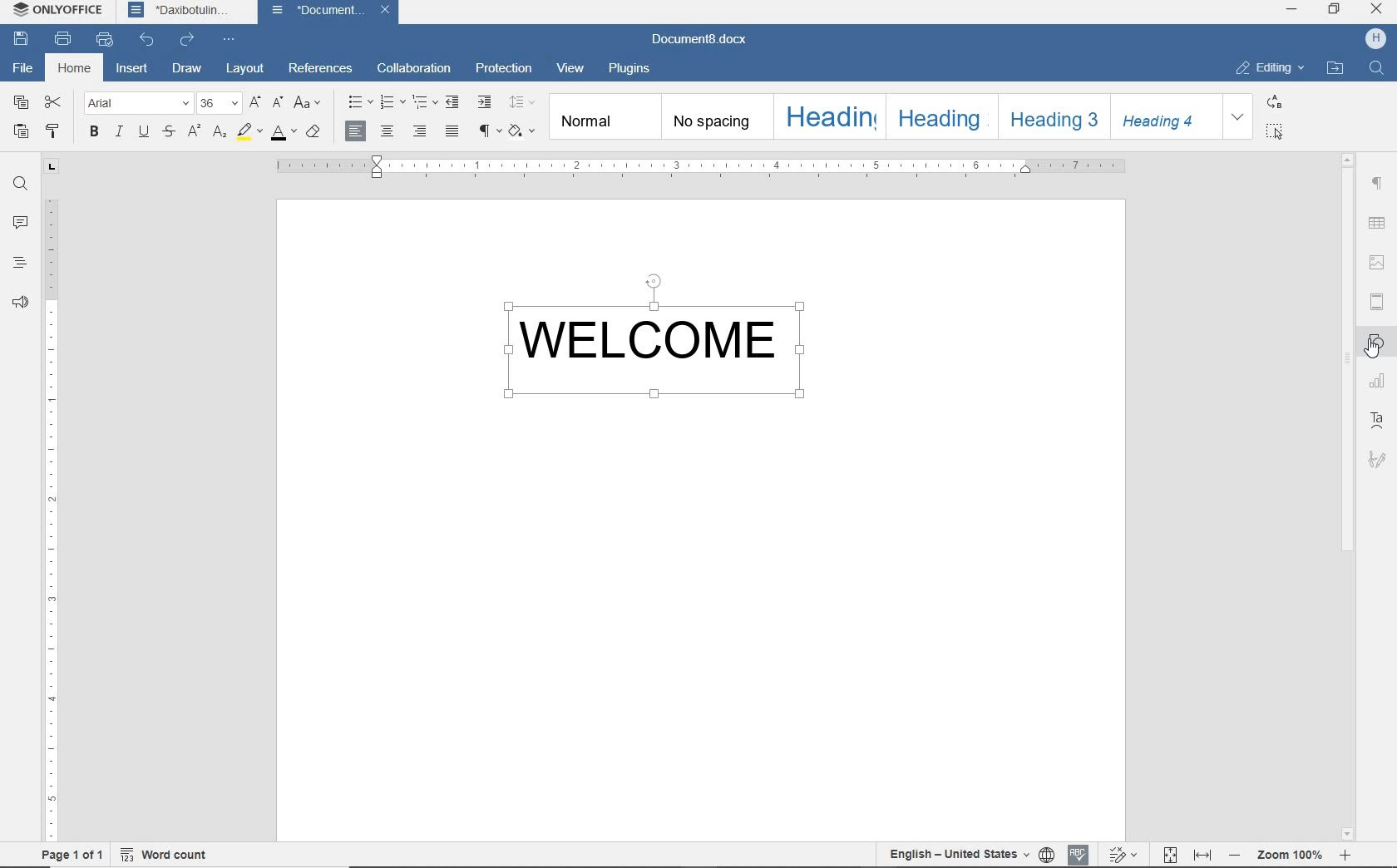 This screenshot has width=1397, height=868. What do you see at coordinates (357, 131) in the screenshot?
I see `ALIGN LEFT` at bounding box center [357, 131].